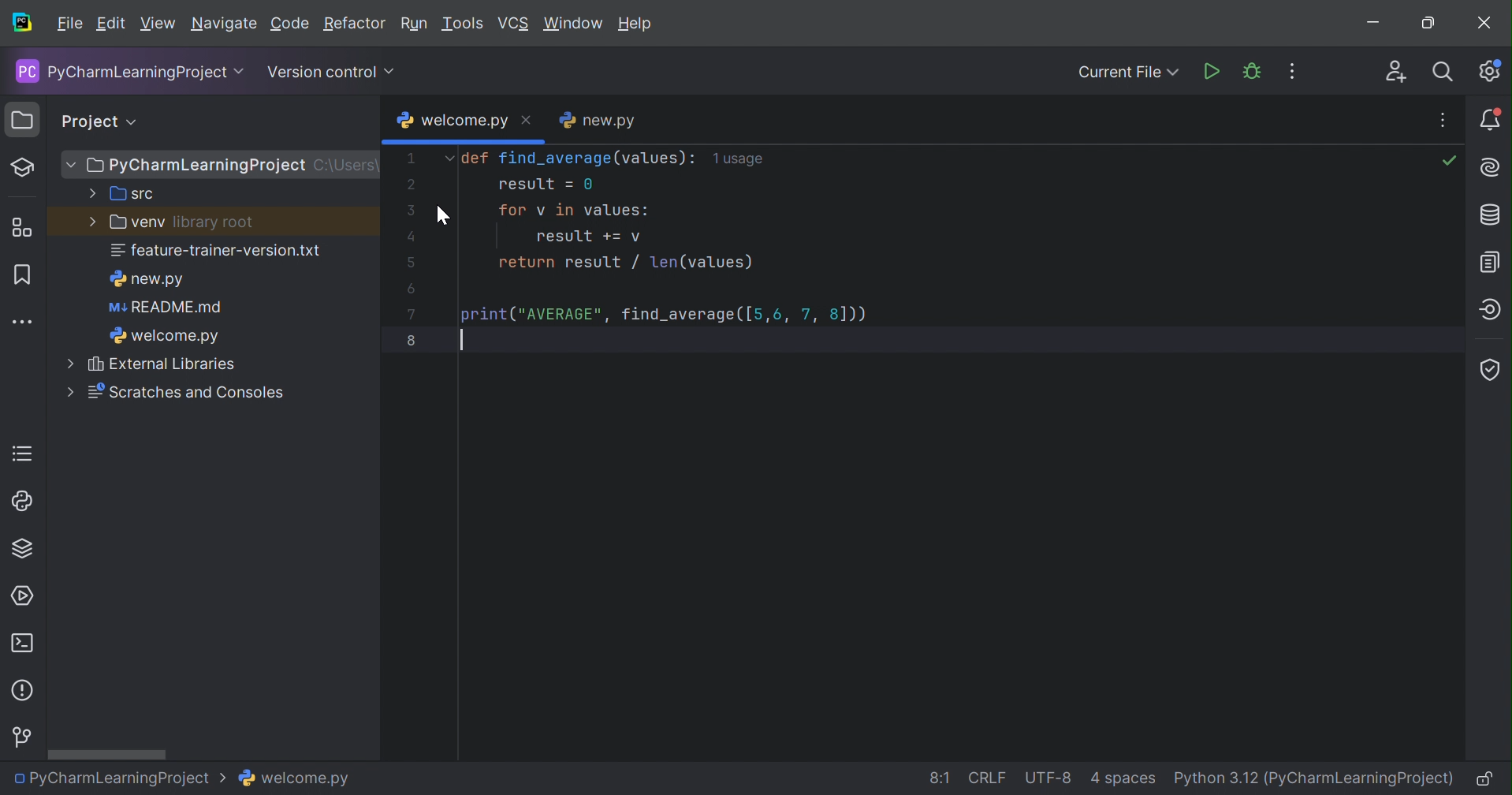  I want to click on Python 3.12 (PyCharmLearning Project), so click(1312, 778).